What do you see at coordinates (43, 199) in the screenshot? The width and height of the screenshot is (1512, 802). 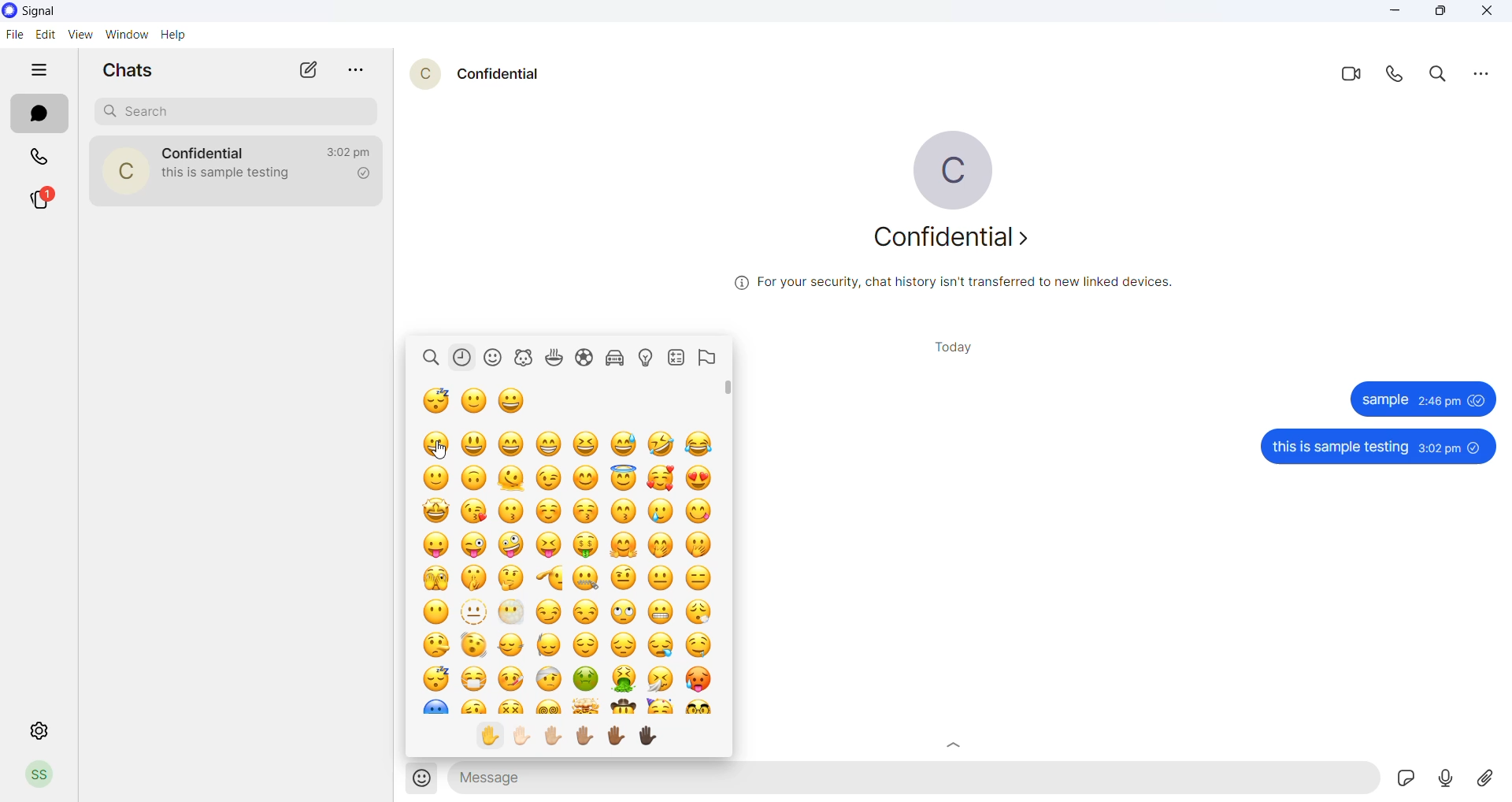 I see `stories` at bounding box center [43, 199].